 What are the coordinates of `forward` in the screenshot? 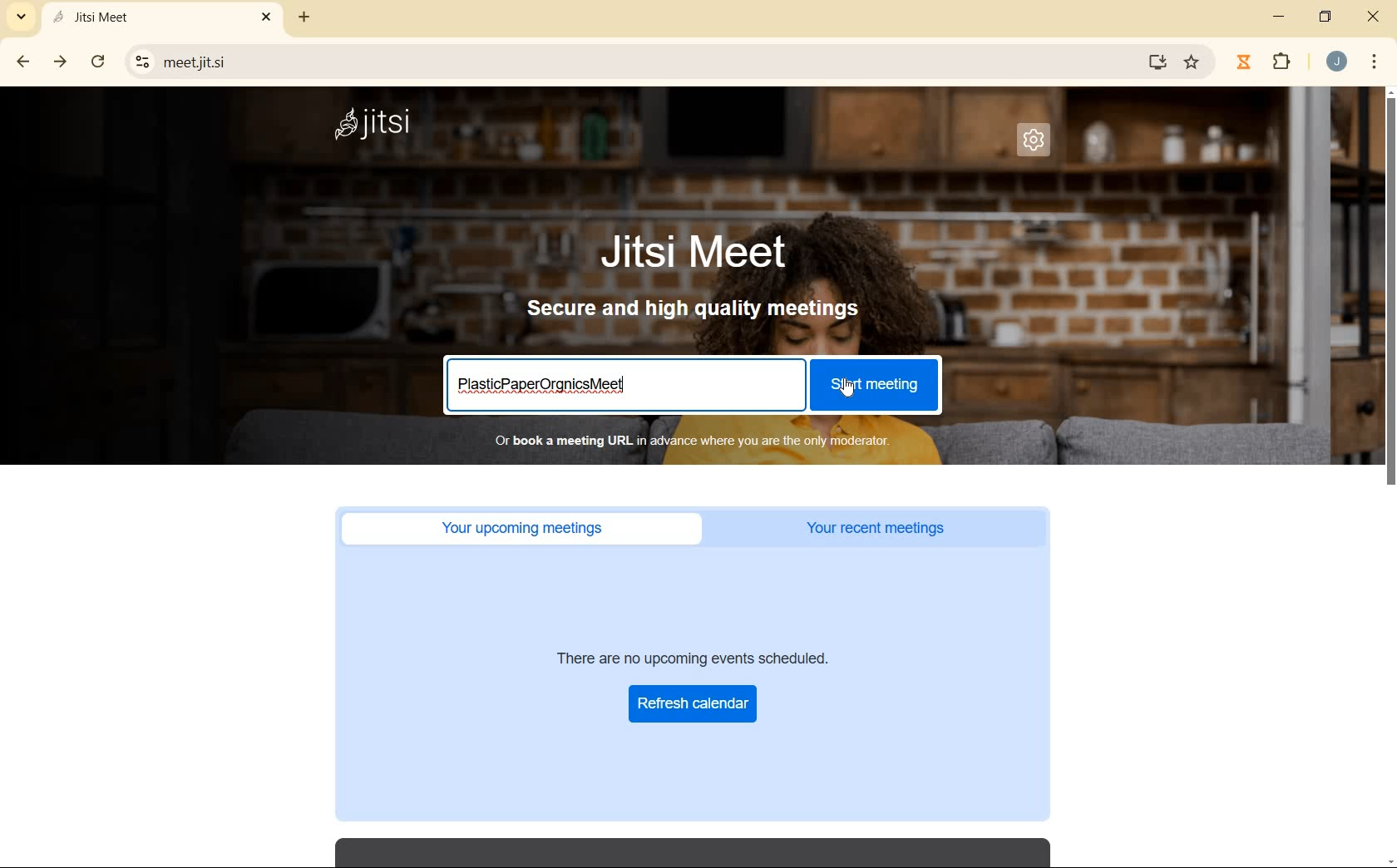 It's located at (62, 62).